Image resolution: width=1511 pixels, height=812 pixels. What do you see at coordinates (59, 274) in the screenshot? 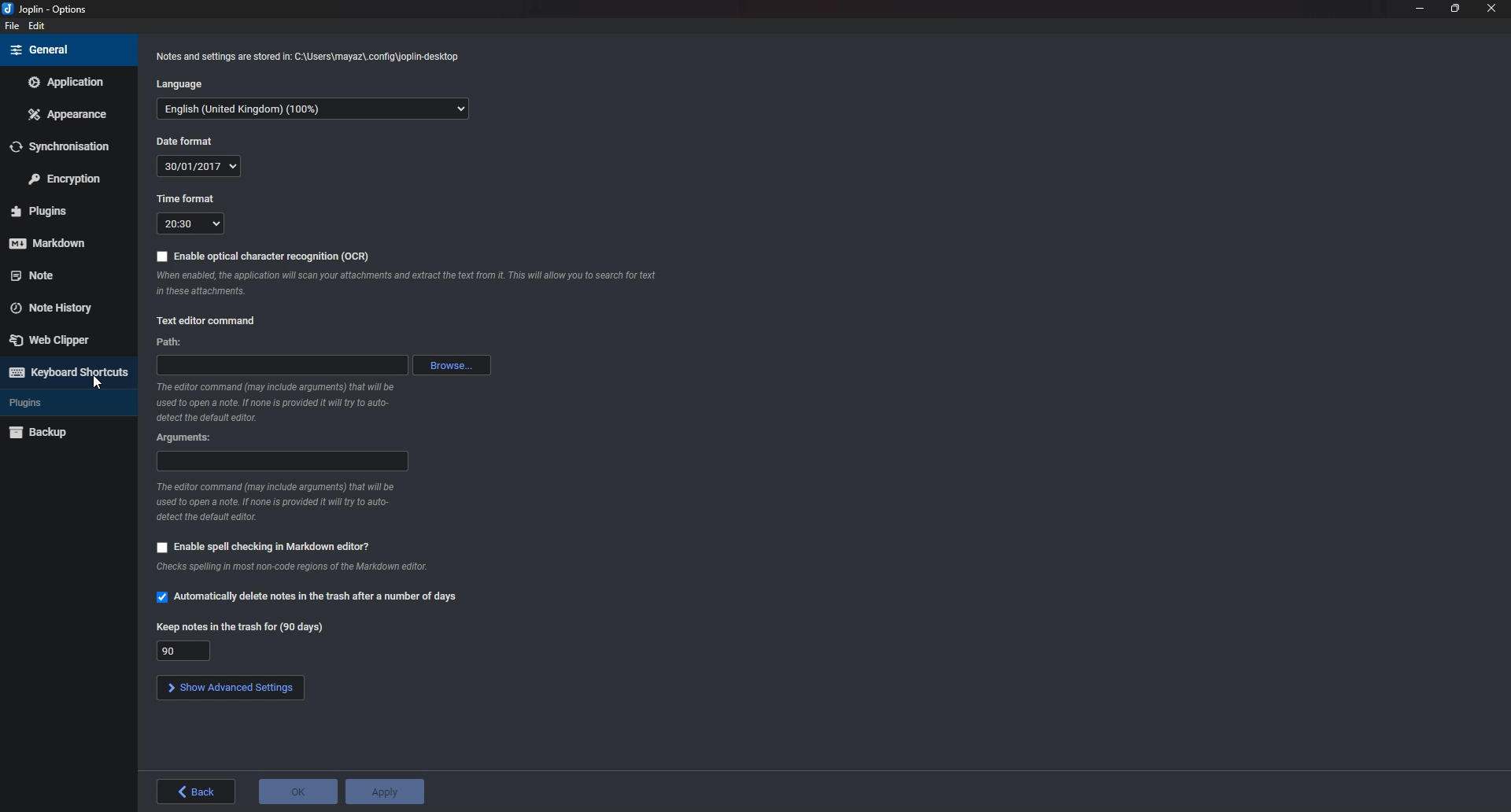
I see `note` at bounding box center [59, 274].